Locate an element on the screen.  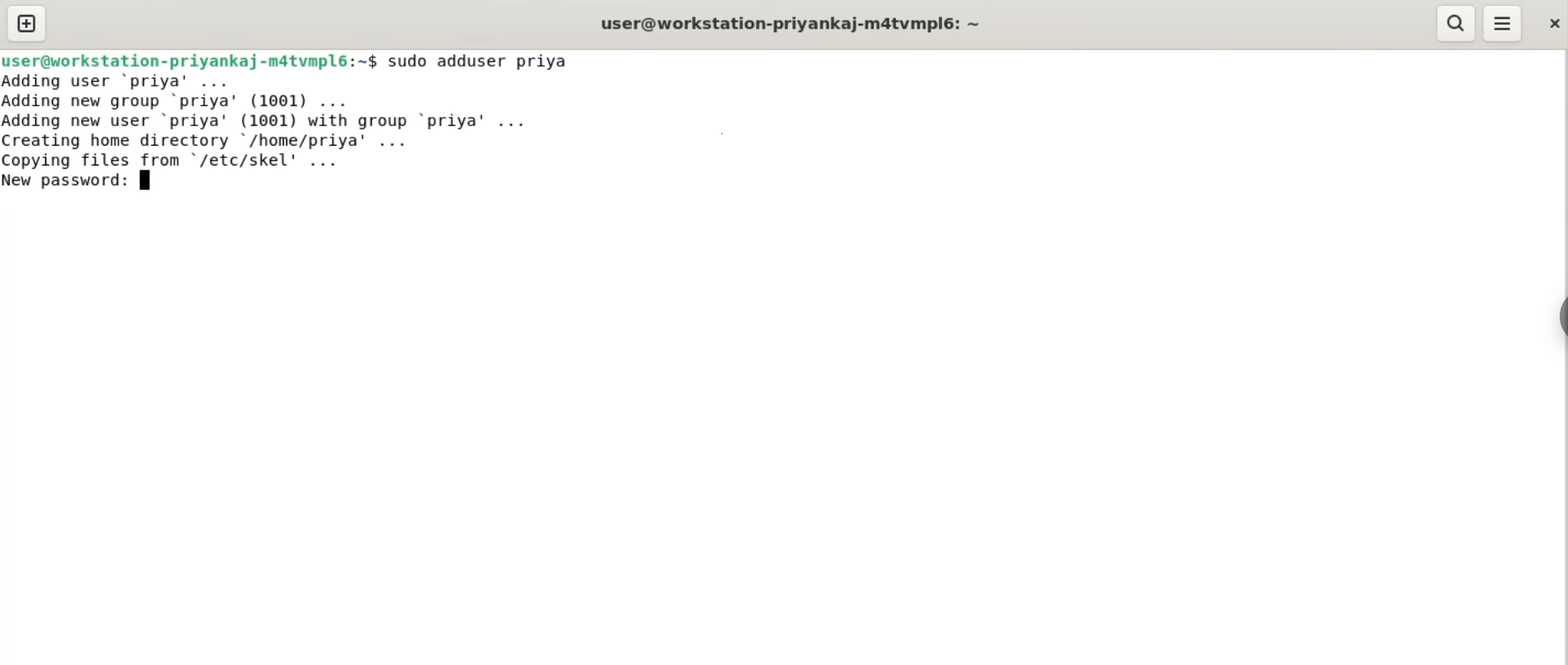
user@workstation-priyankaj-m4tvmpl6:~$ is located at coordinates (189, 58).